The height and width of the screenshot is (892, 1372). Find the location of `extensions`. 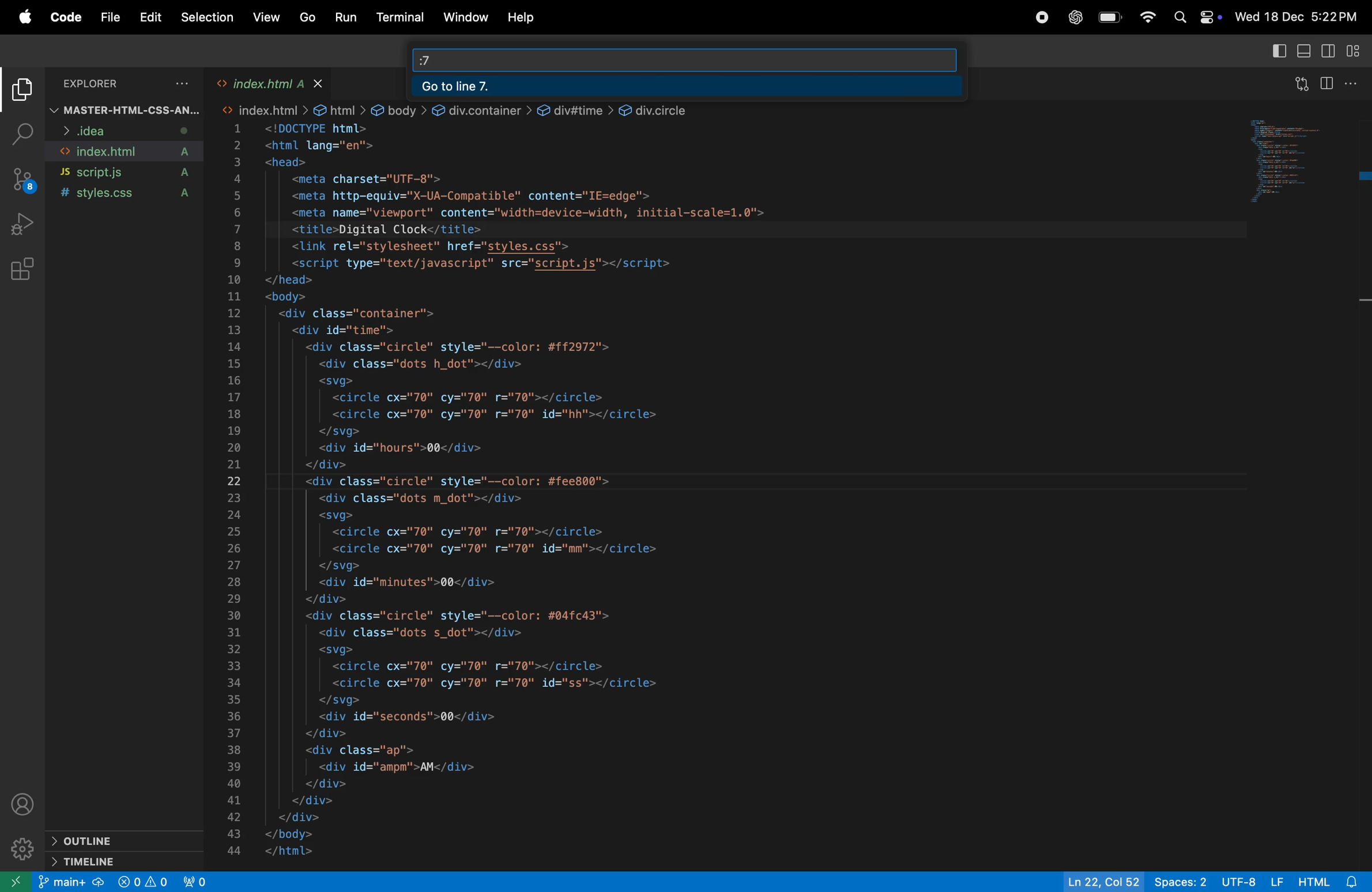

extensions is located at coordinates (22, 270).